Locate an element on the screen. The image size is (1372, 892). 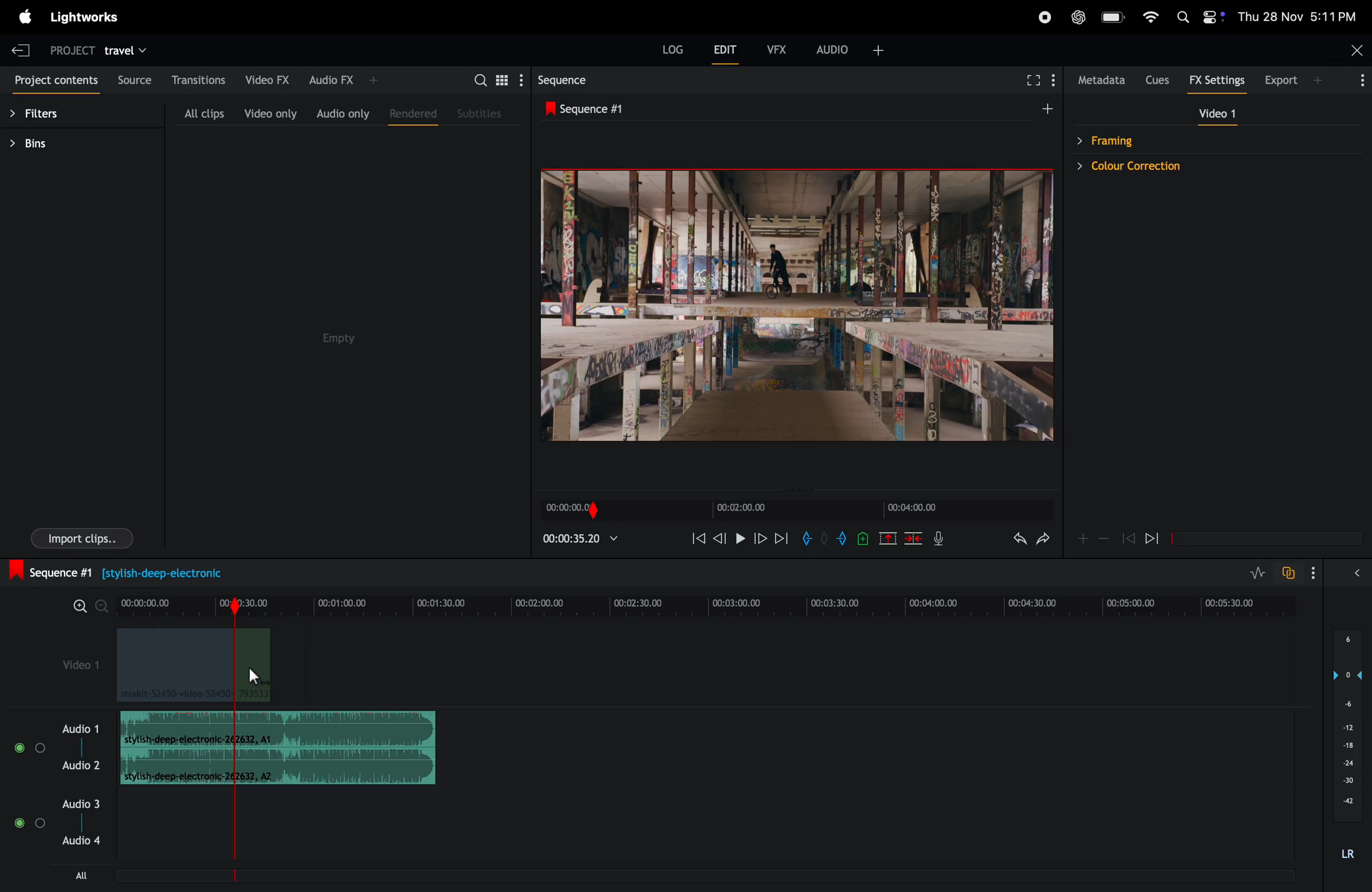
Audio 2 is located at coordinates (82, 766).